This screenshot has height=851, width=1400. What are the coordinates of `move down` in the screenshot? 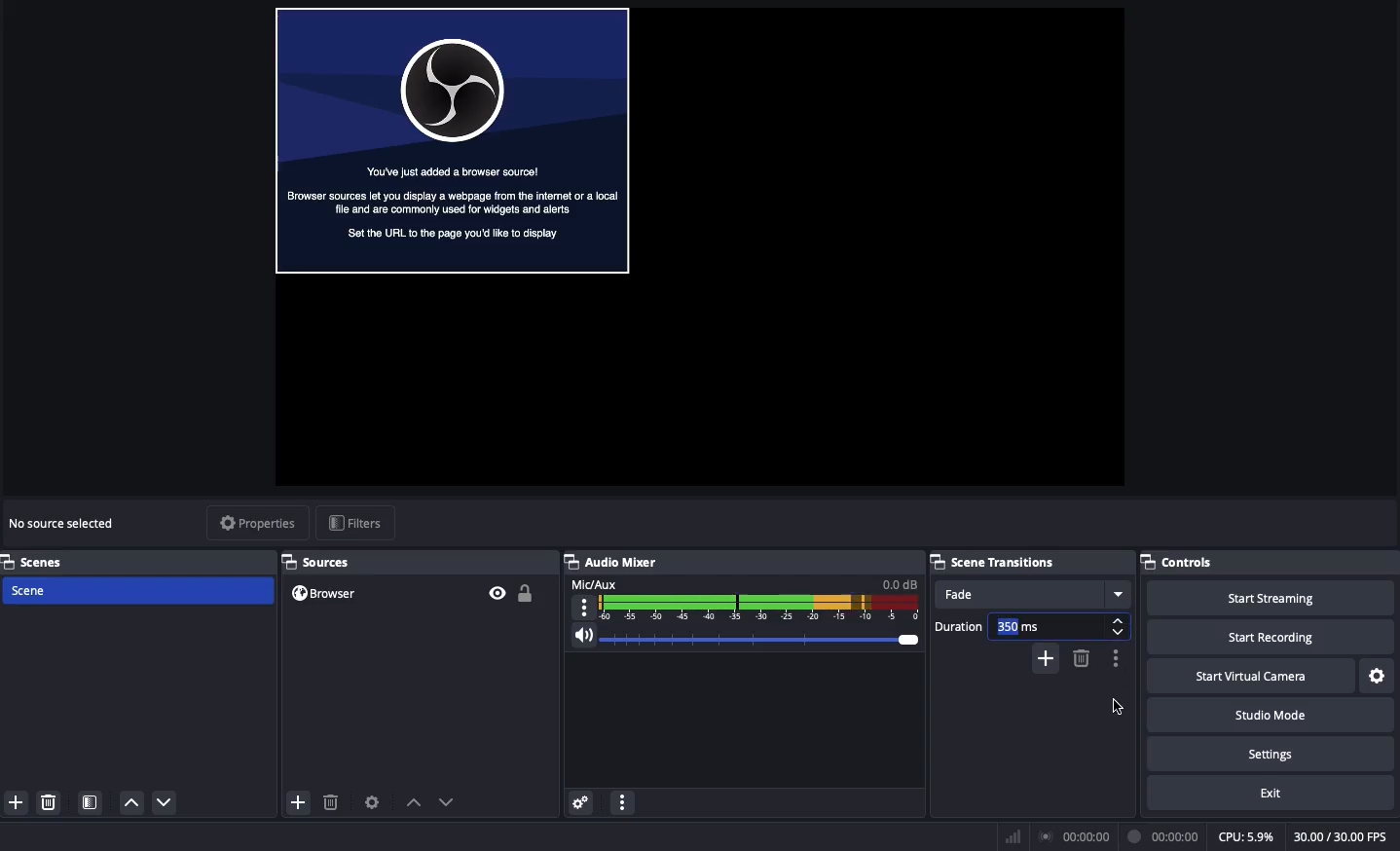 It's located at (453, 801).